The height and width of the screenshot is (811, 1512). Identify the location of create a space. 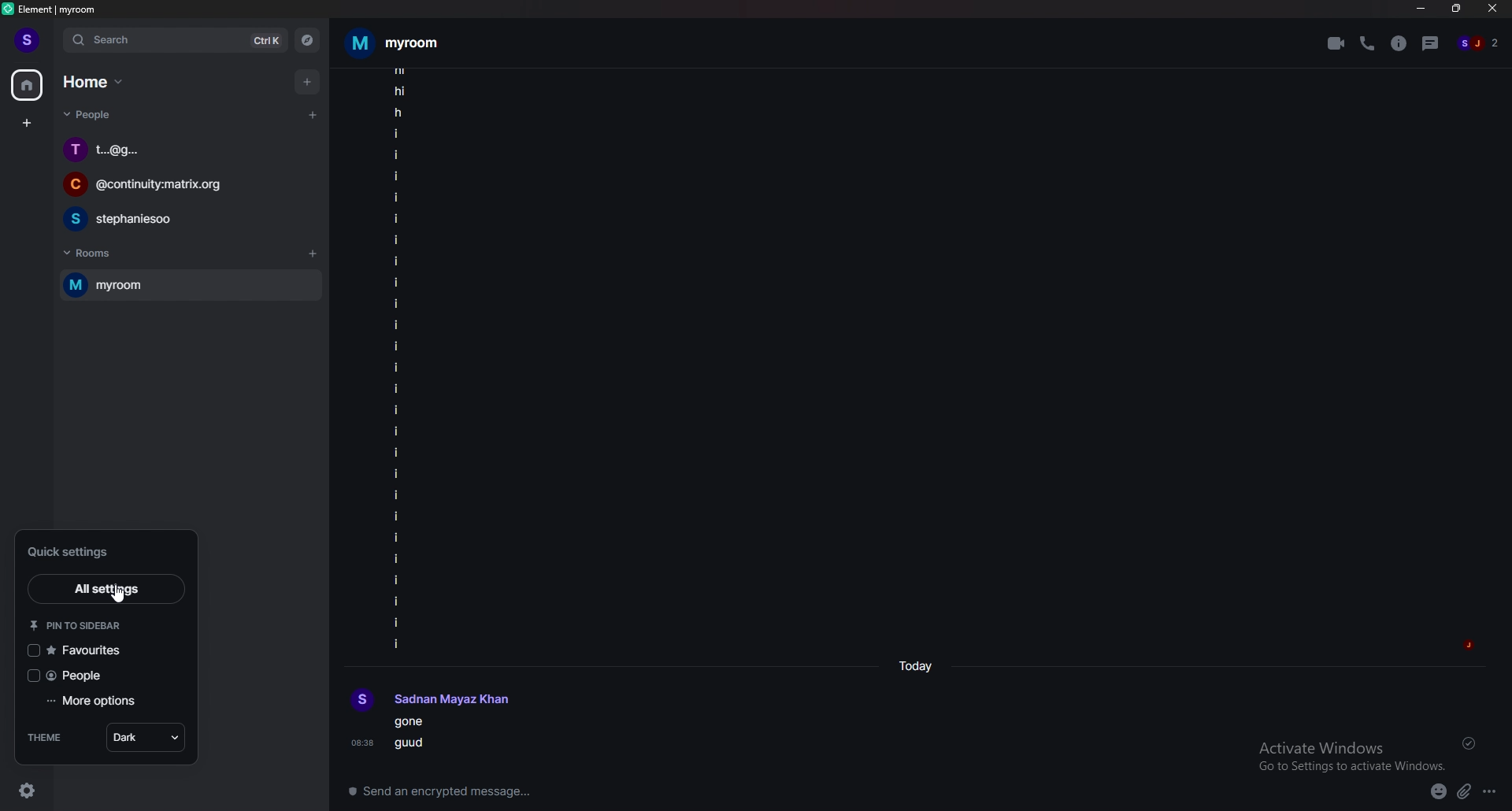
(28, 124).